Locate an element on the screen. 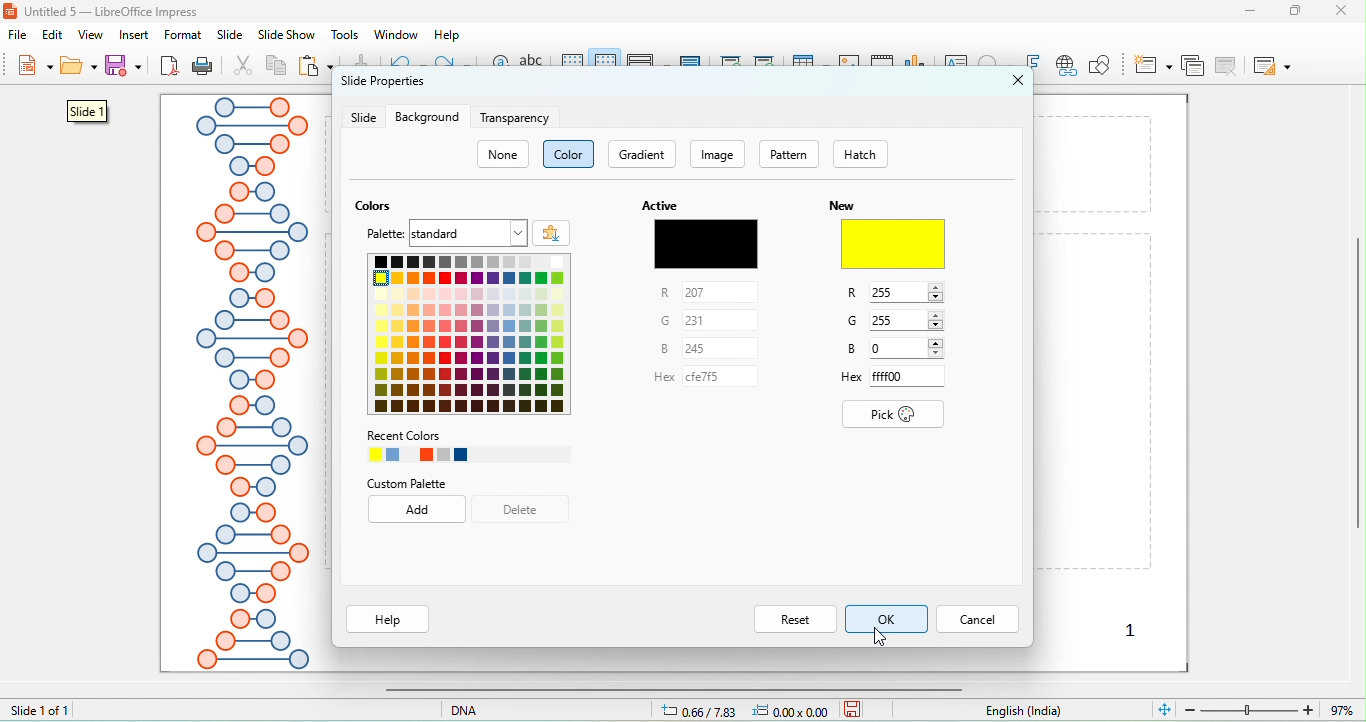 This screenshot has width=1366, height=722. duplicate slide is located at coordinates (1192, 65).